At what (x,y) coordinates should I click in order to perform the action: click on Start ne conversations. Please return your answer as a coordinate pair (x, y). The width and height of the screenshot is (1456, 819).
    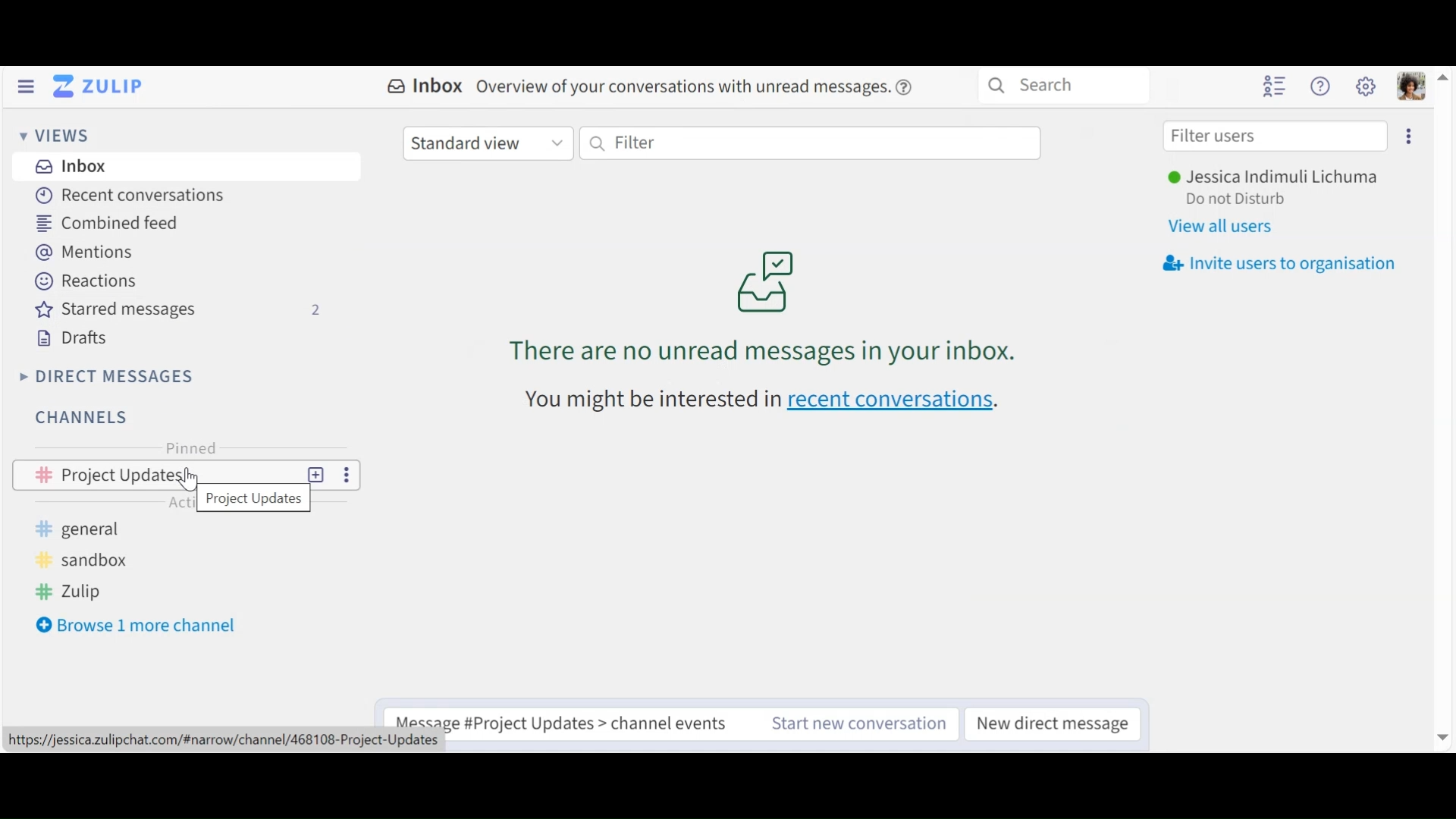
    Looking at the image, I should click on (855, 724).